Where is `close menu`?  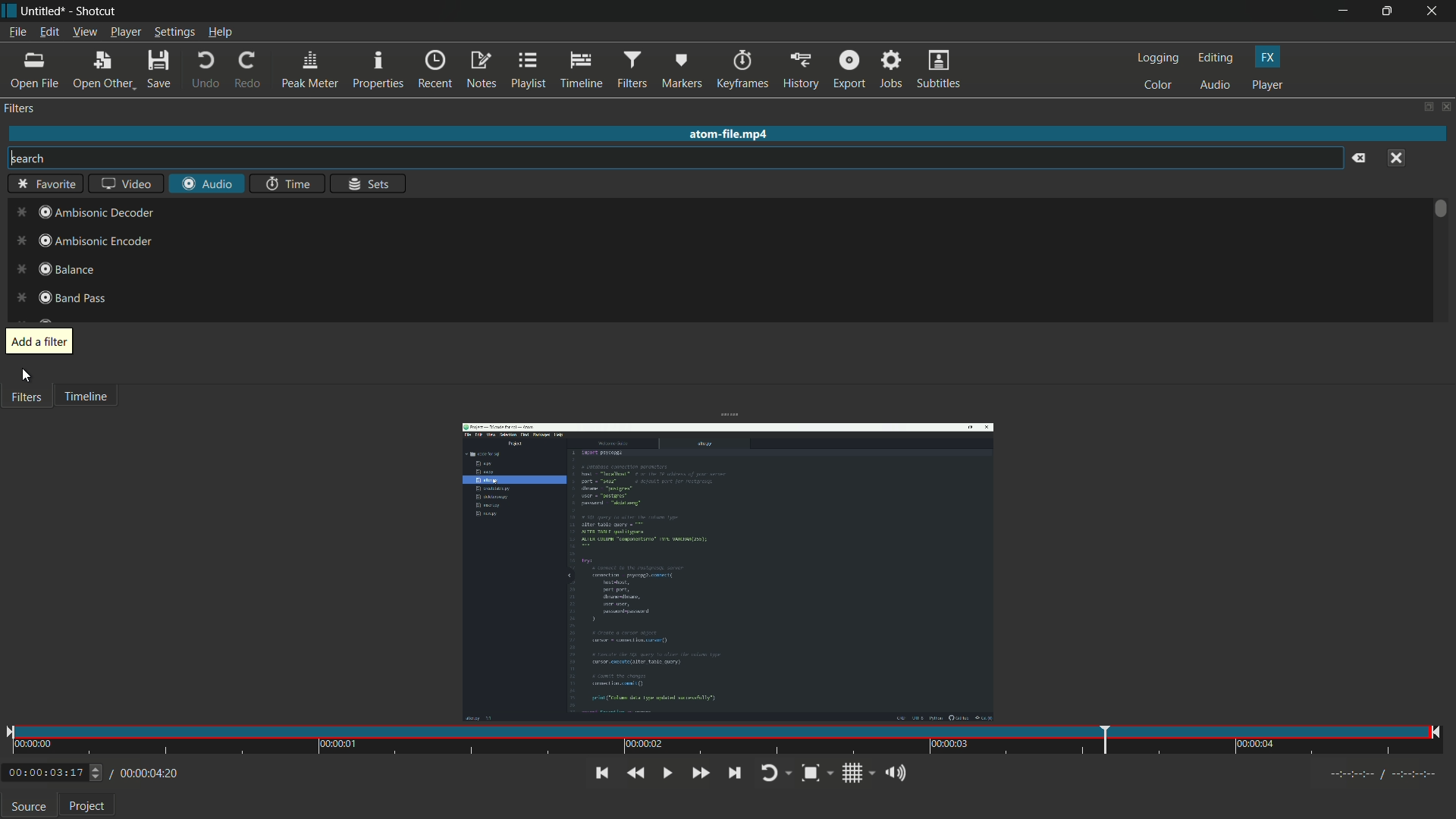 close menu is located at coordinates (1398, 158).